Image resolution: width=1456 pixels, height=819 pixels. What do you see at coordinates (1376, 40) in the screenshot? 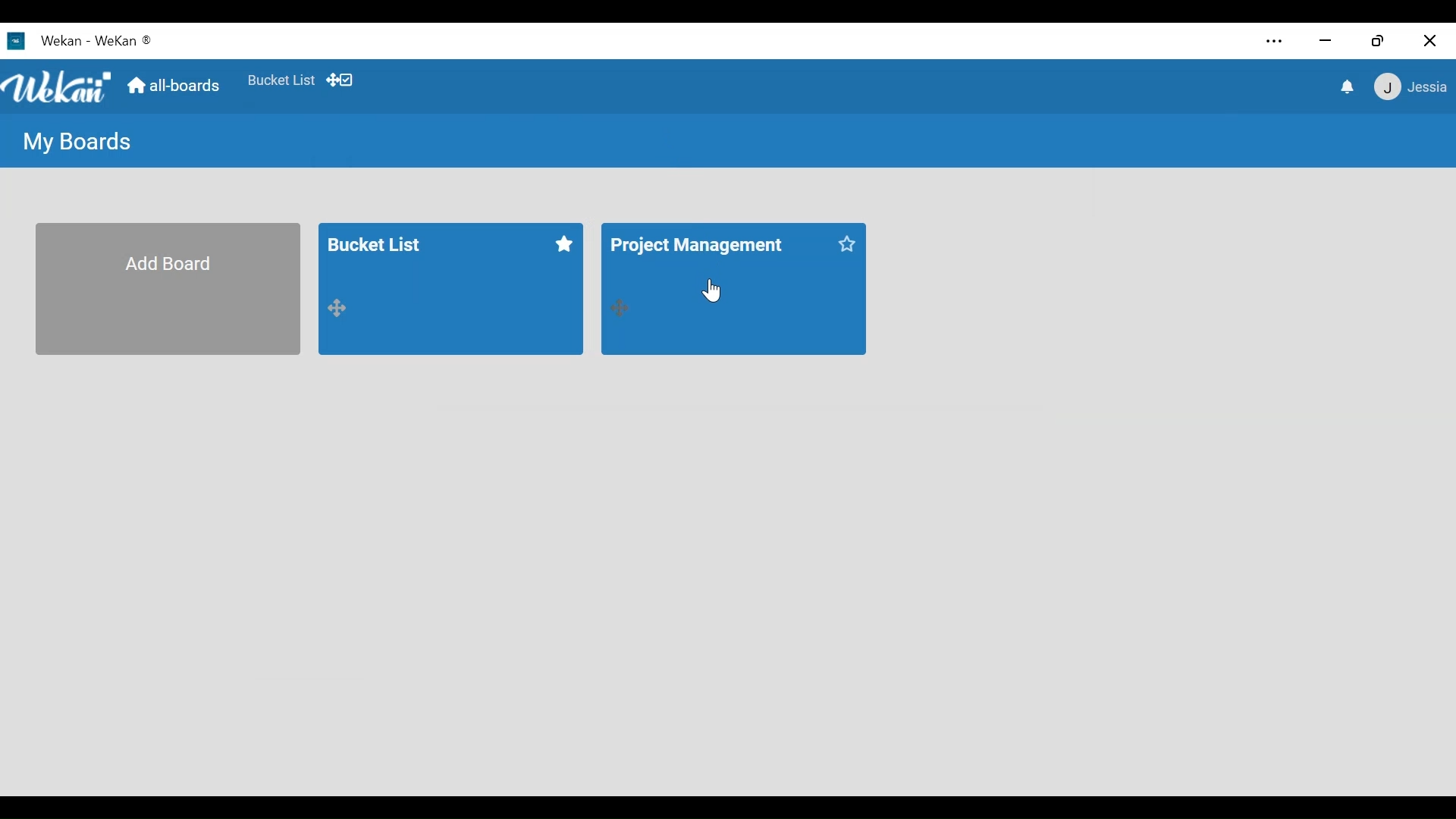
I see `Restore` at bounding box center [1376, 40].